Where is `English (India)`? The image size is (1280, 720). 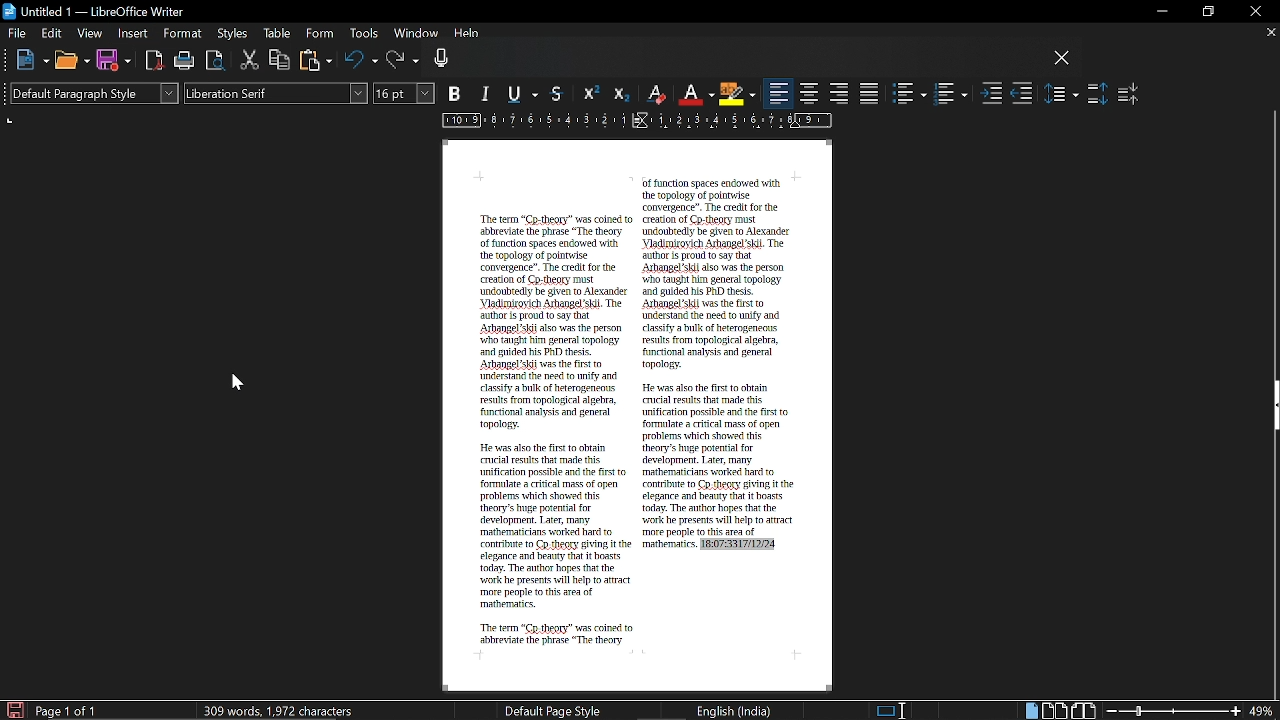 English (India) is located at coordinates (735, 710).